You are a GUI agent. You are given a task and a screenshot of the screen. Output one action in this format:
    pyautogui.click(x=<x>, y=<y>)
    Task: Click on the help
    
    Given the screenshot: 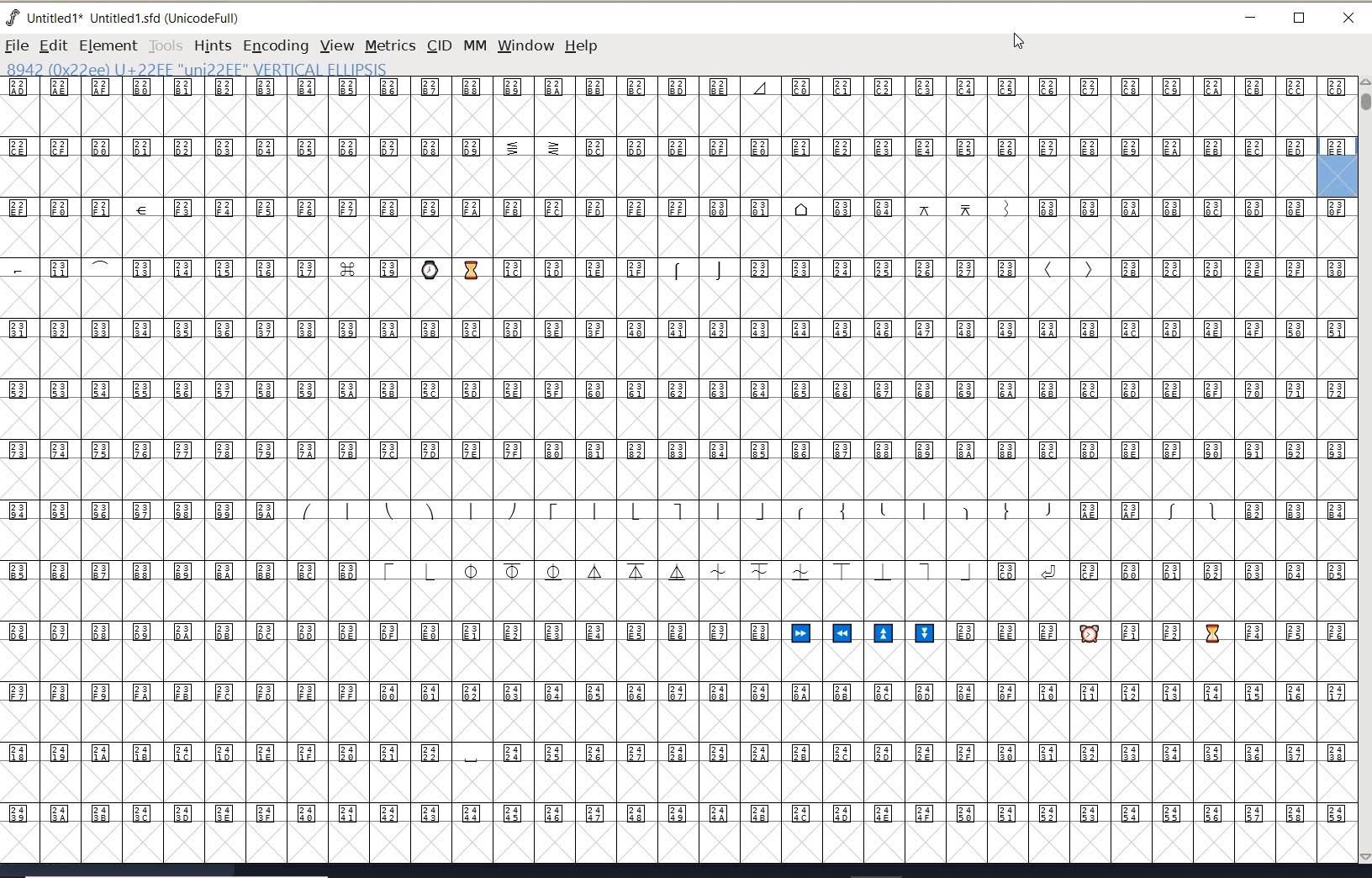 What is the action you would take?
    pyautogui.click(x=584, y=47)
    